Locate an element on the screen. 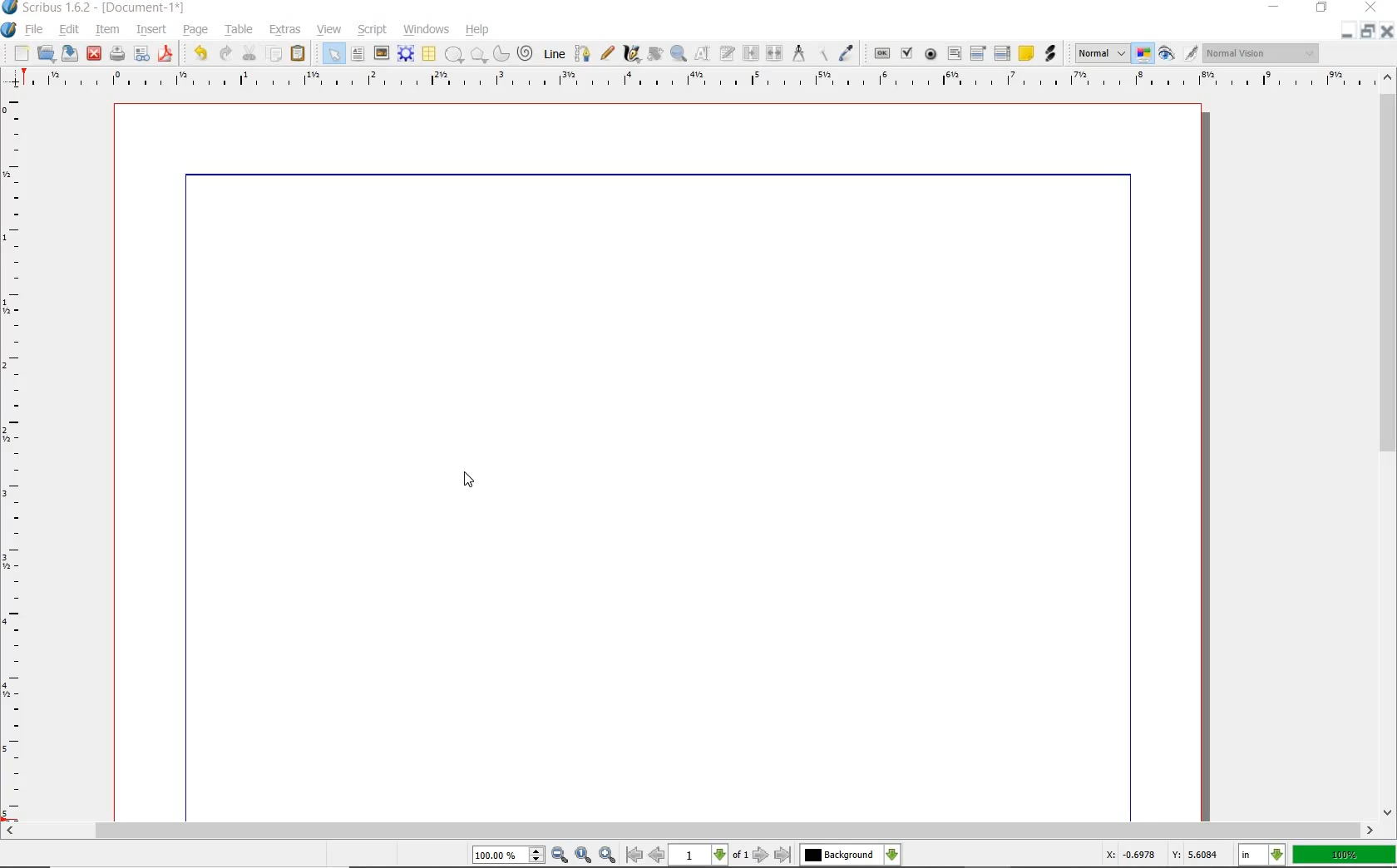 The height and width of the screenshot is (868, 1397). TEXT ANNOATATION is located at coordinates (1025, 52).